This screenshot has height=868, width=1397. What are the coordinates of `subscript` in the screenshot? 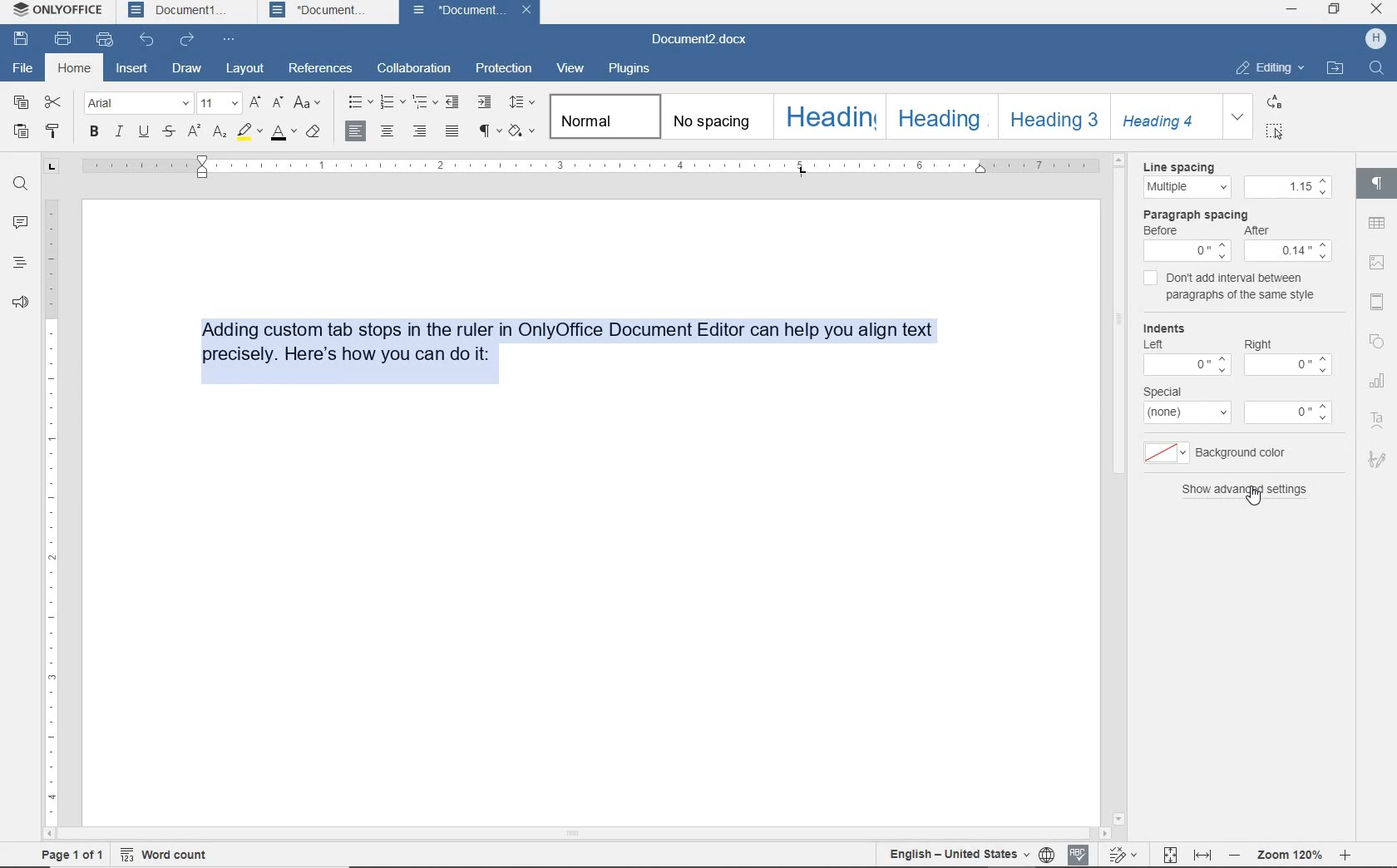 It's located at (220, 133).